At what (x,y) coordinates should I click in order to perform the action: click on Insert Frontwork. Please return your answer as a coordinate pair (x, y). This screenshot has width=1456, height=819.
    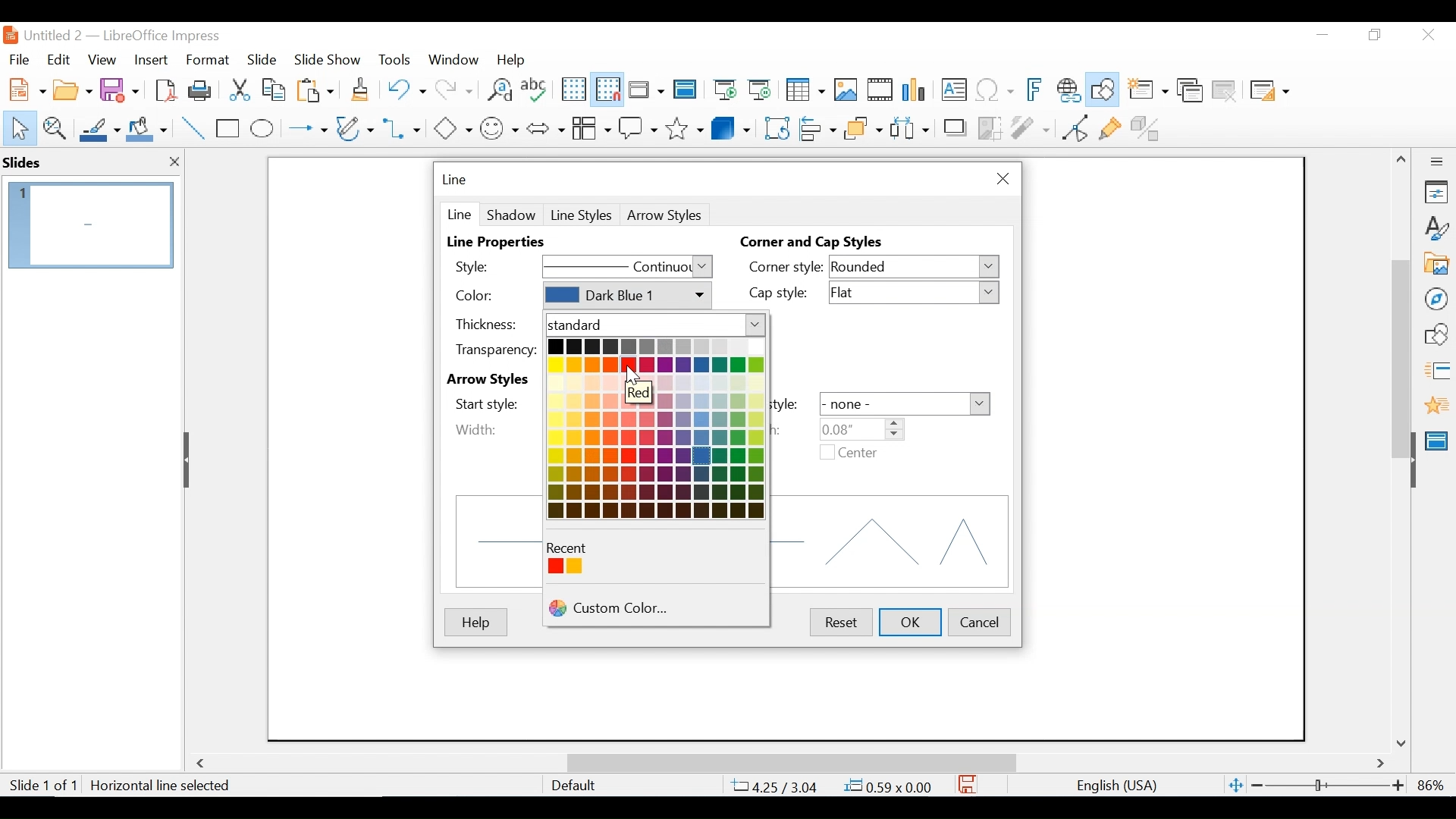
    Looking at the image, I should click on (1036, 90).